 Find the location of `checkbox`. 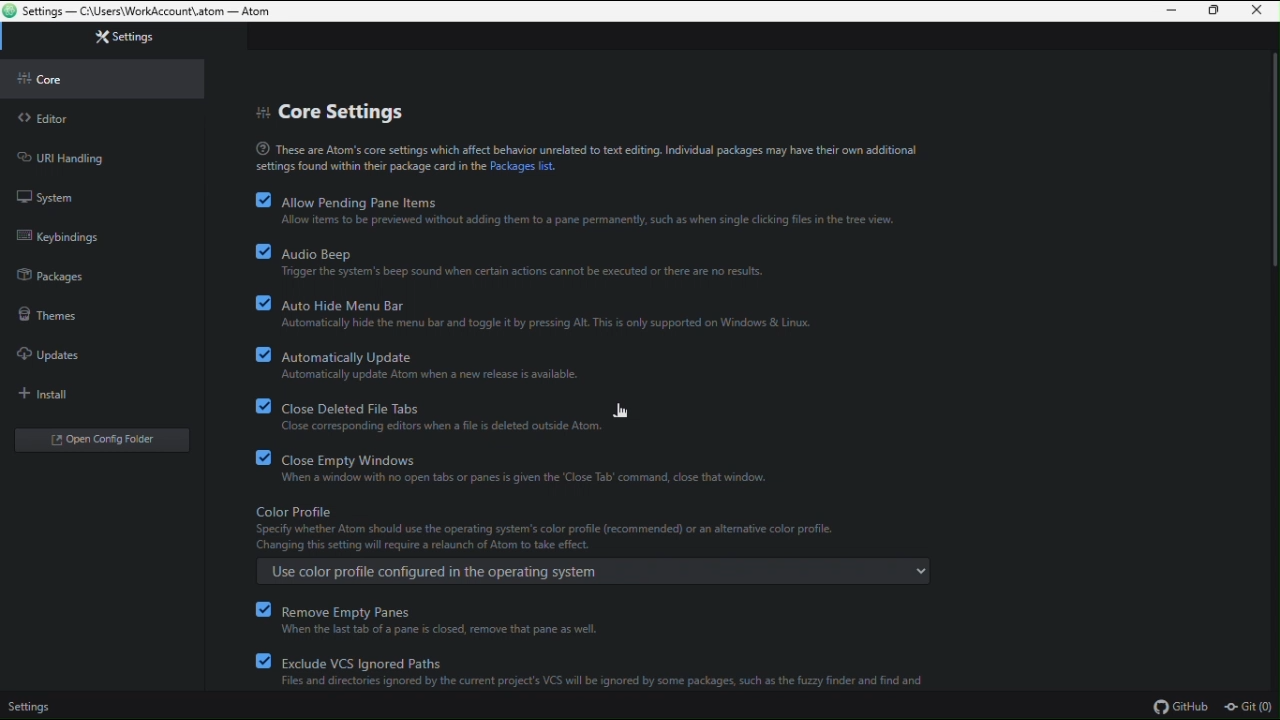

checkbox is located at coordinates (262, 302).